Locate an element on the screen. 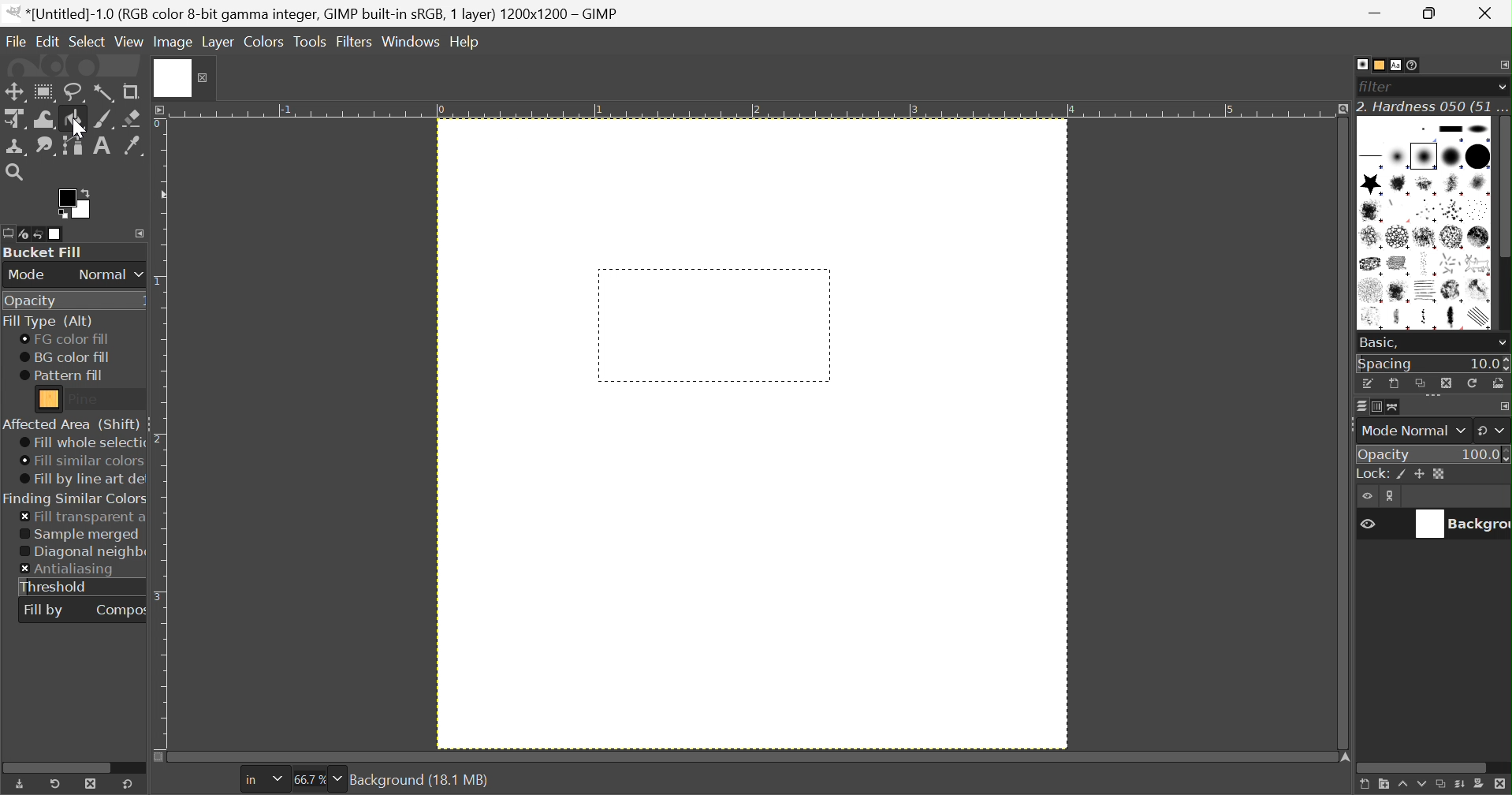  Image is located at coordinates (174, 42).